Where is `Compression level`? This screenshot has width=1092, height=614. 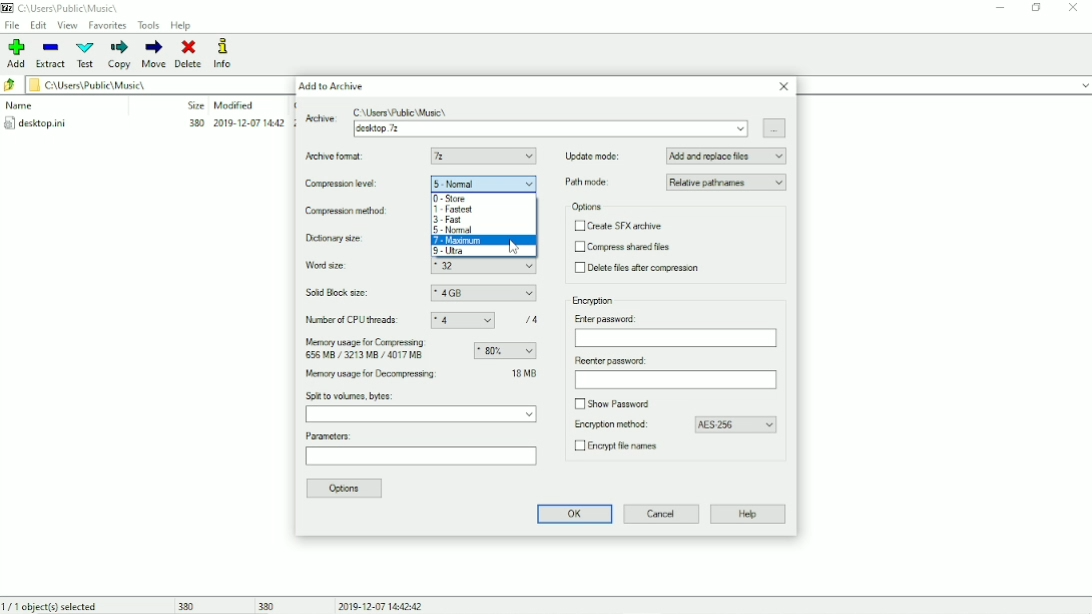
Compression level is located at coordinates (346, 185).